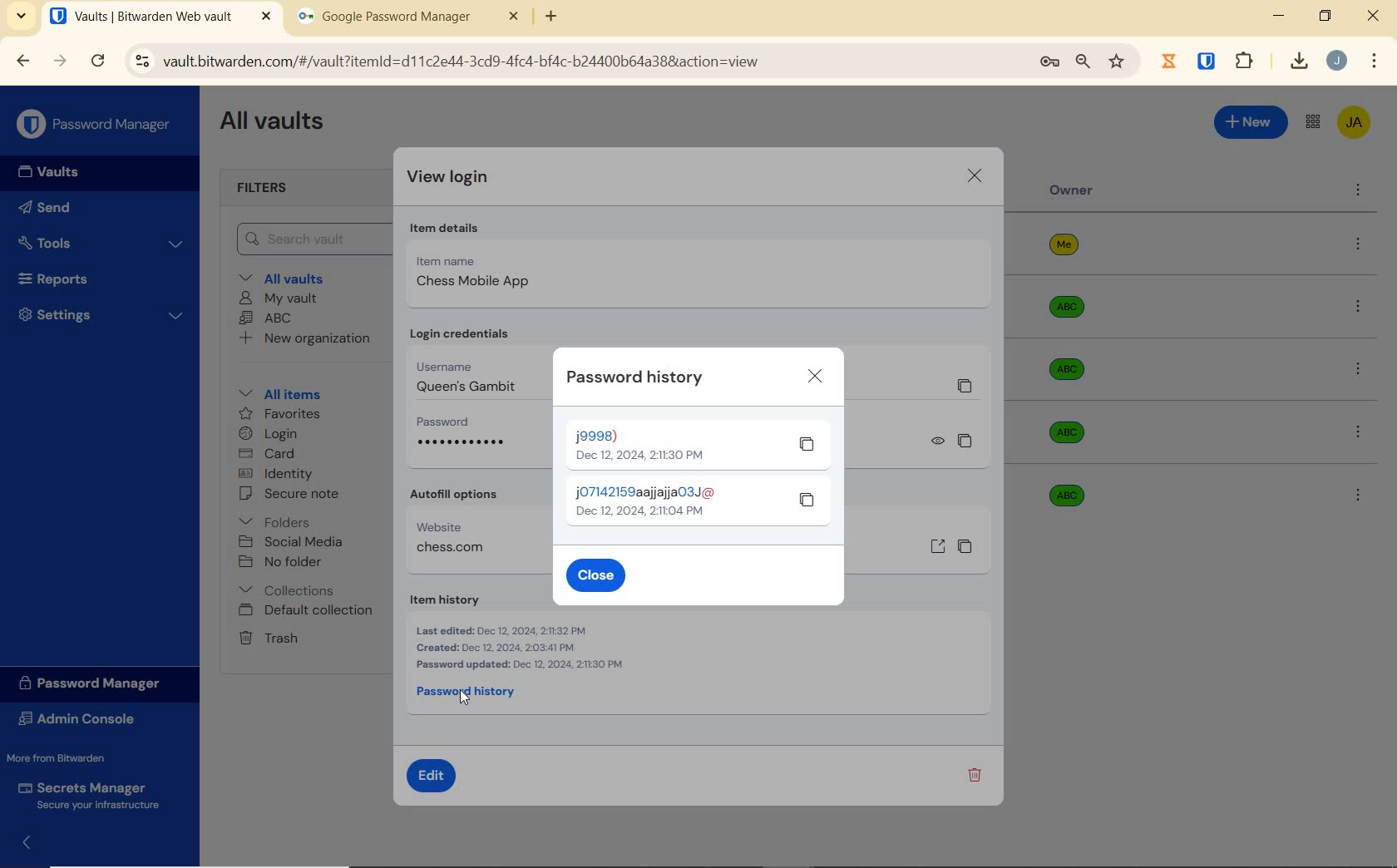 This screenshot has height=868, width=1397. Describe the element at coordinates (635, 377) in the screenshot. I see `Password history` at that location.